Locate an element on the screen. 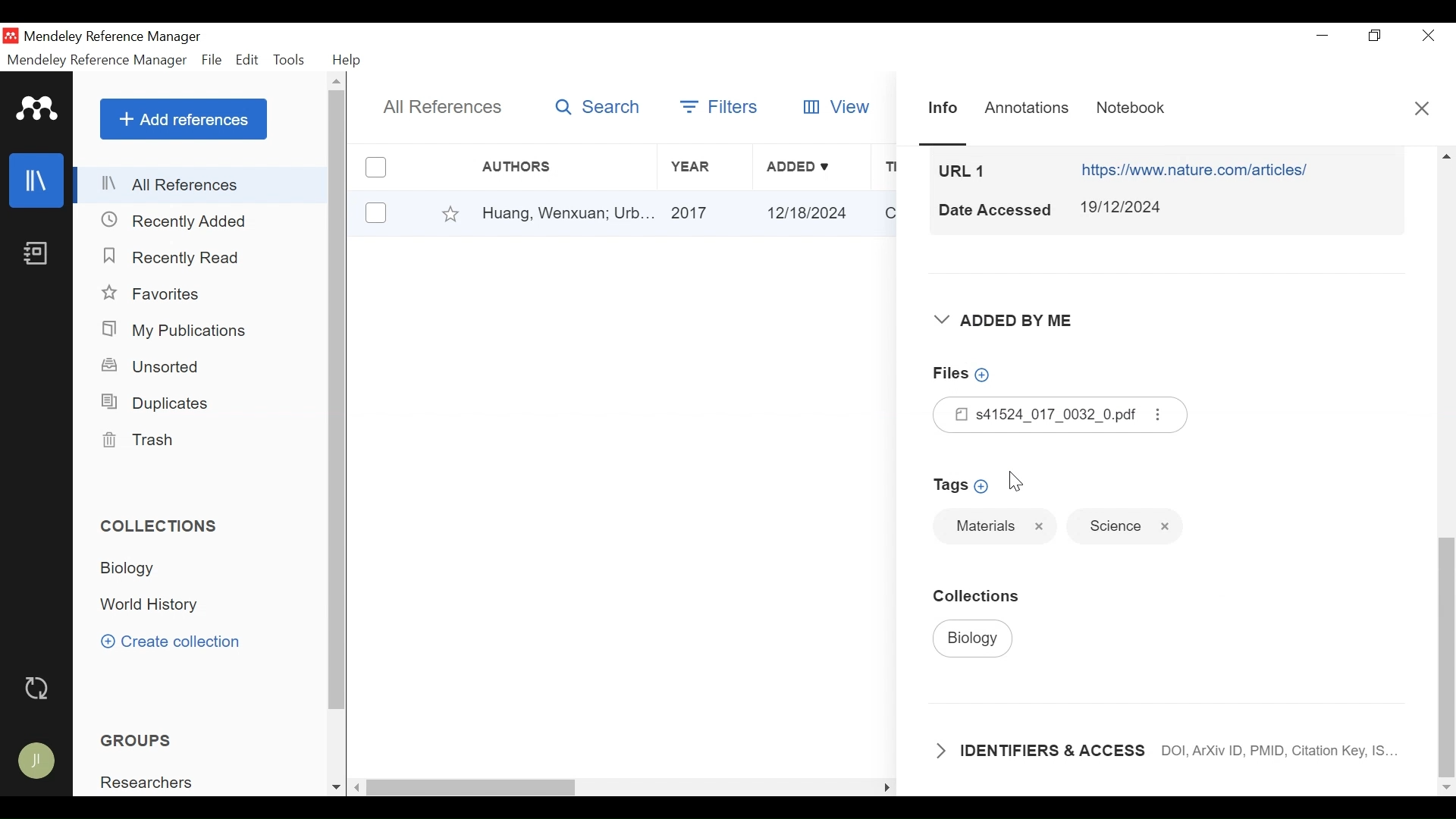 Image resolution: width=1456 pixels, height=819 pixels. URL 1 is located at coordinates (963, 170).